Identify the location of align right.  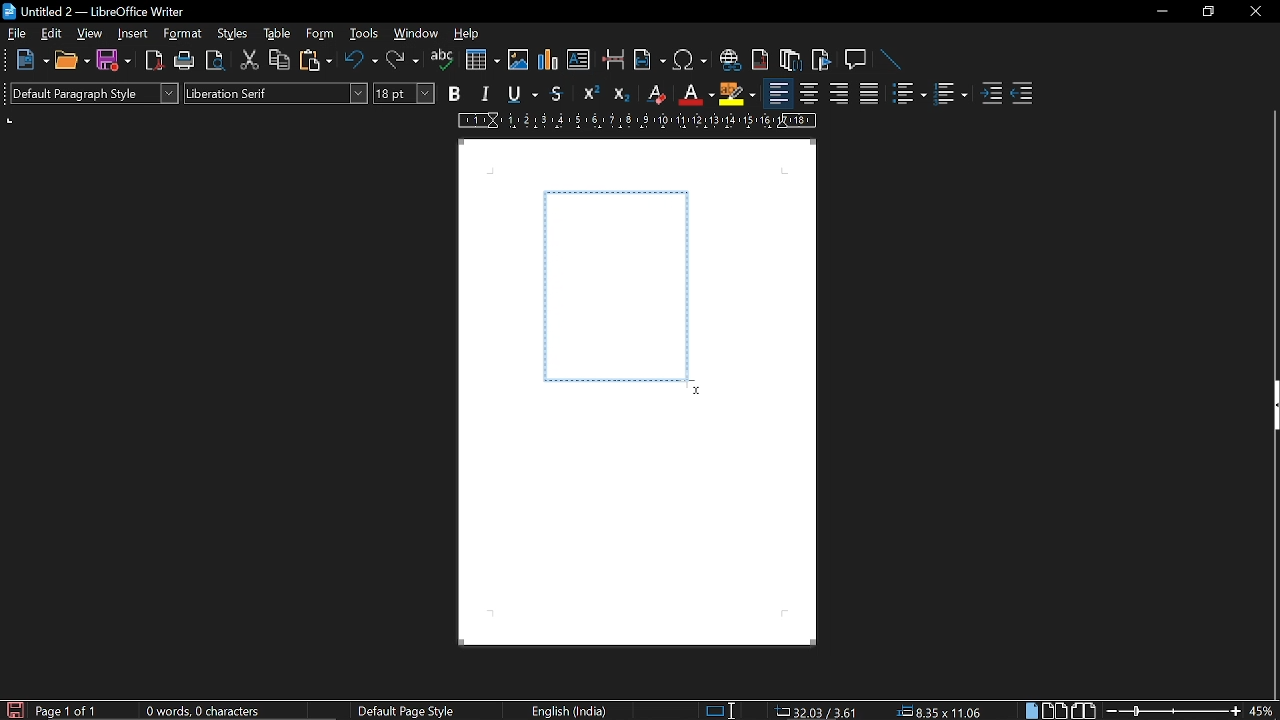
(837, 95).